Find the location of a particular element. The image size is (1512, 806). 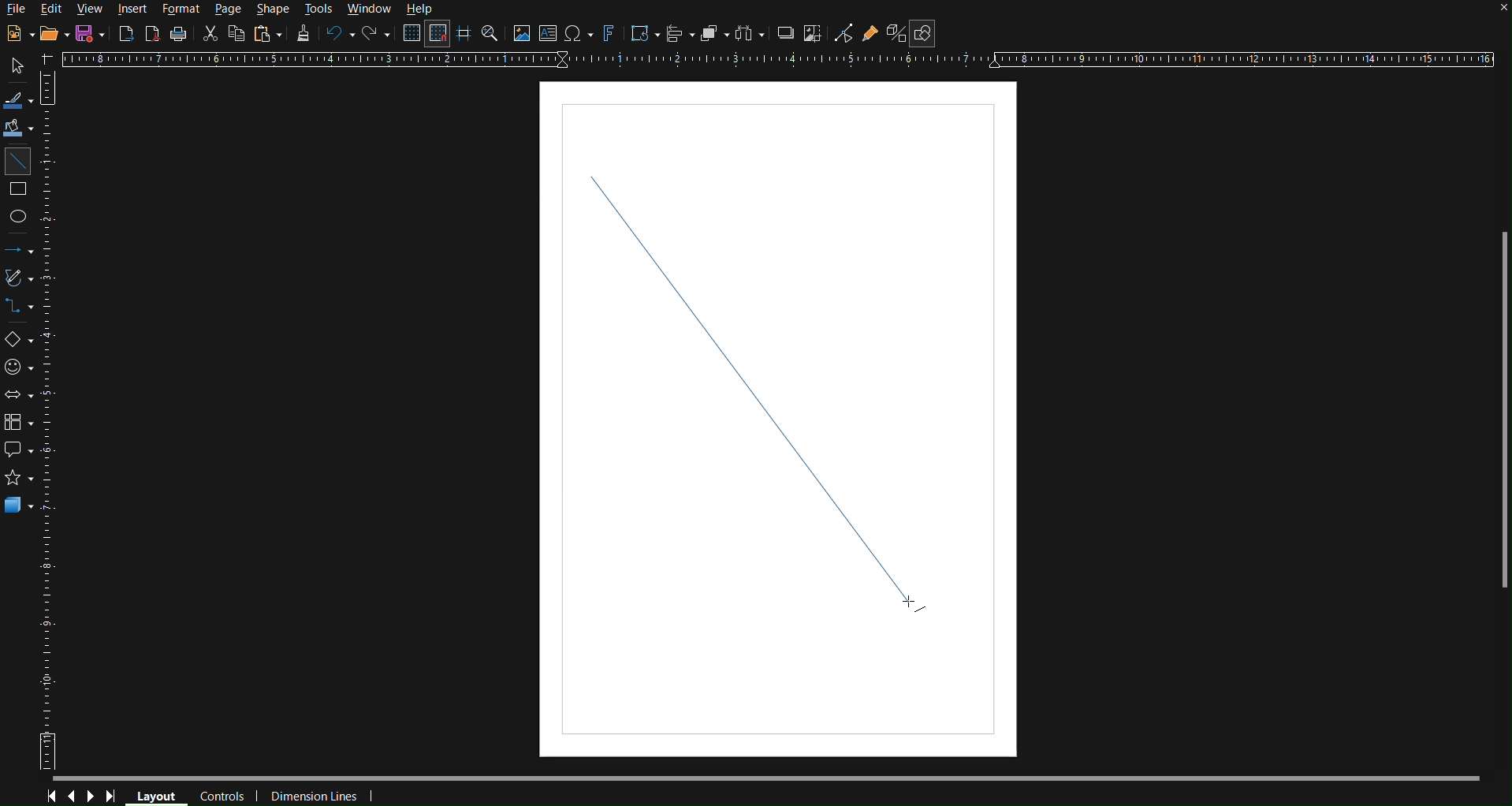

Insert Textbox is located at coordinates (549, 34).